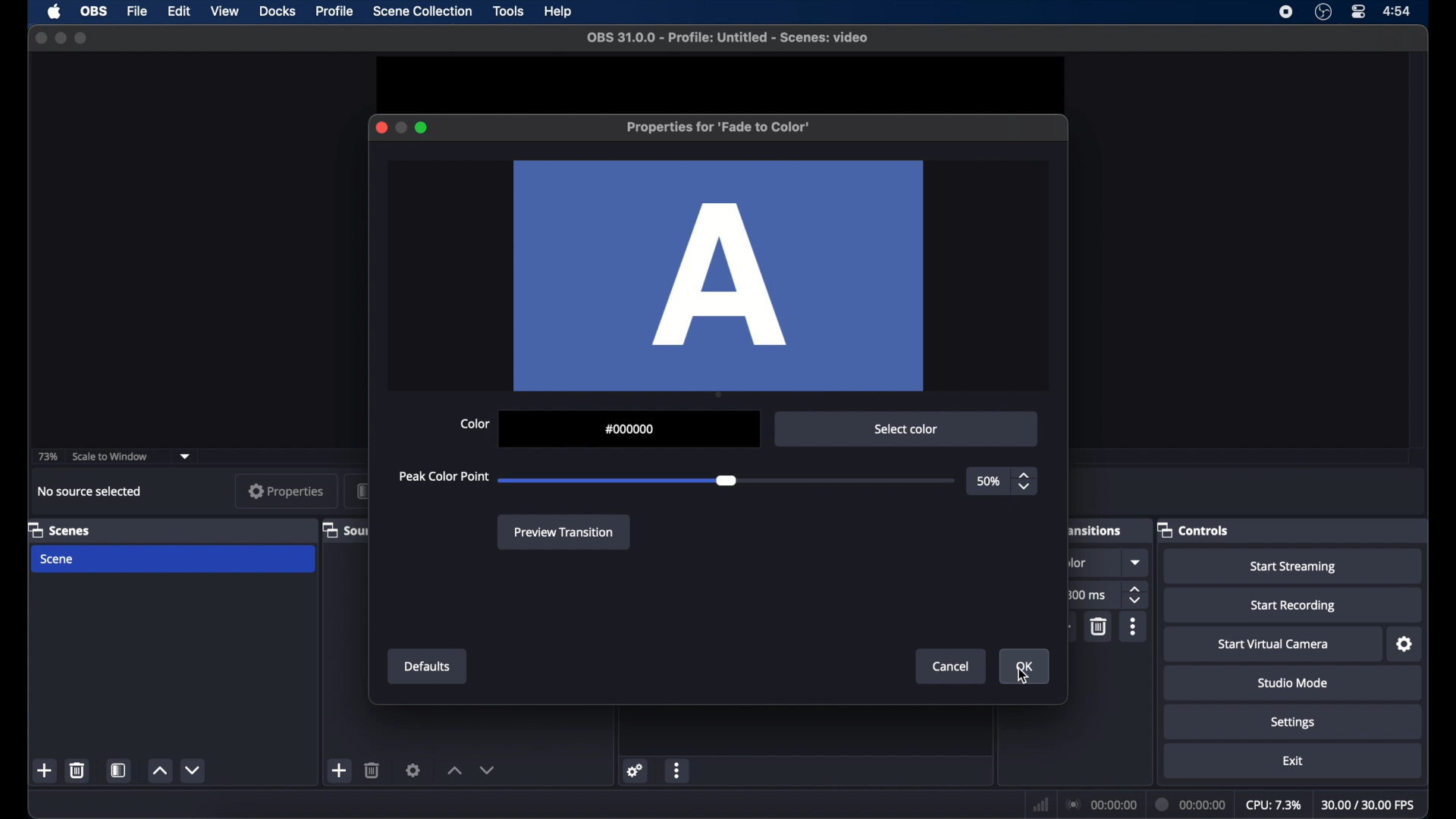  What do you see at coordinates (118, 770) in the screenshot?
I see `scene filters` at bounding box center [118, 770].